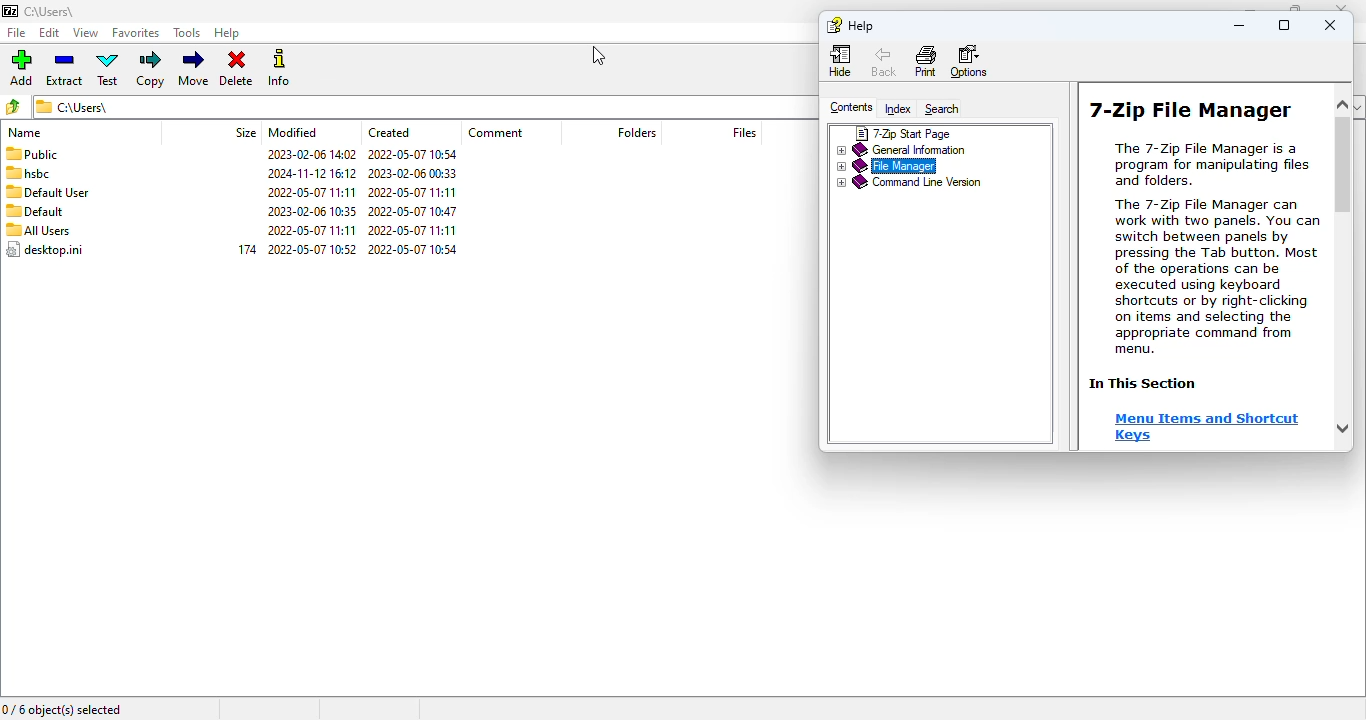 This screenshot has width=1366, height=720. What do you see at coordinates (65, 70) in the screenshot?
I see `extract` at bounding box center [65, 70].